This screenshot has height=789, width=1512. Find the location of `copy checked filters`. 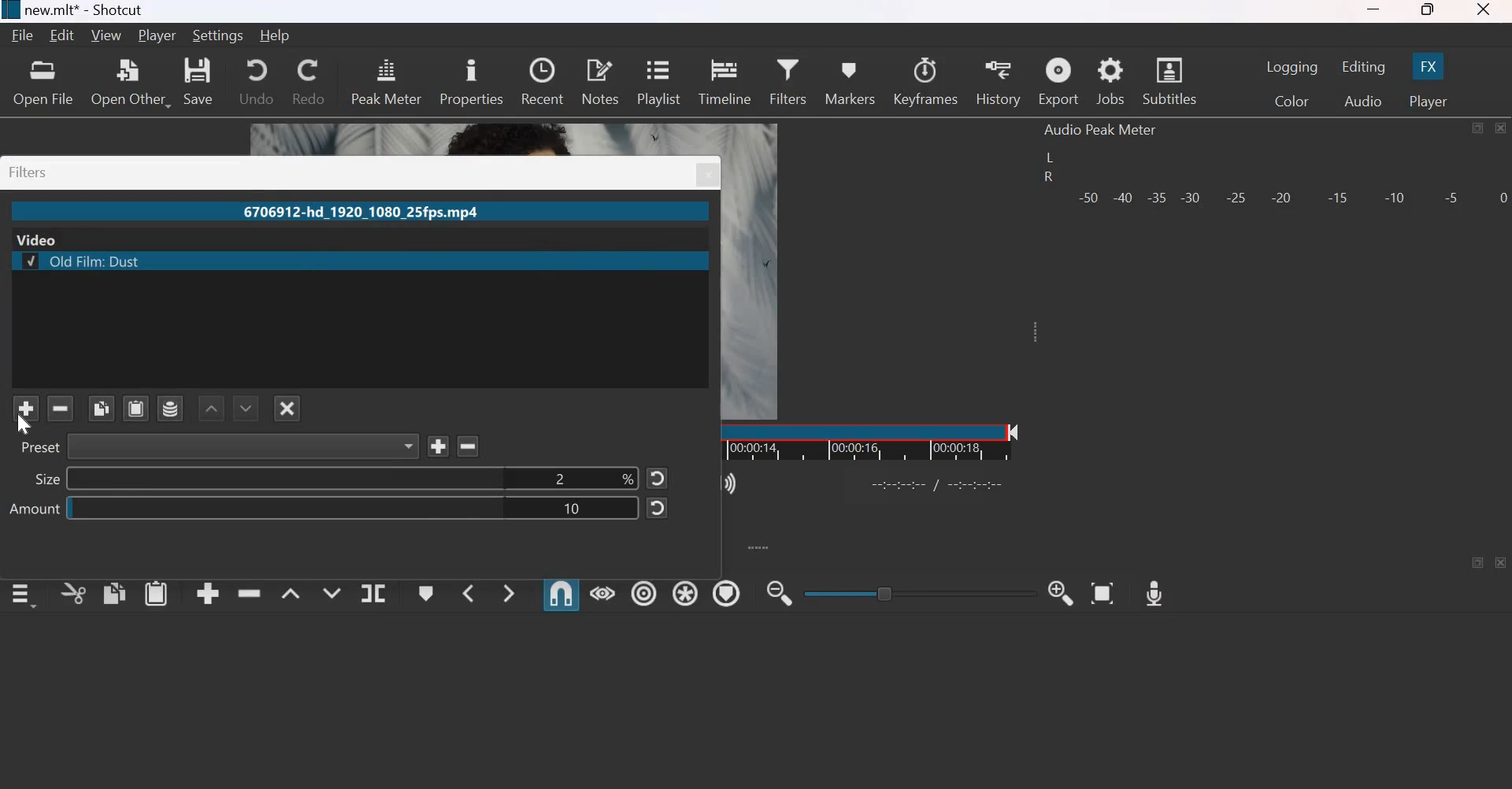

copy checked filters is located at coordinates (101, 409).